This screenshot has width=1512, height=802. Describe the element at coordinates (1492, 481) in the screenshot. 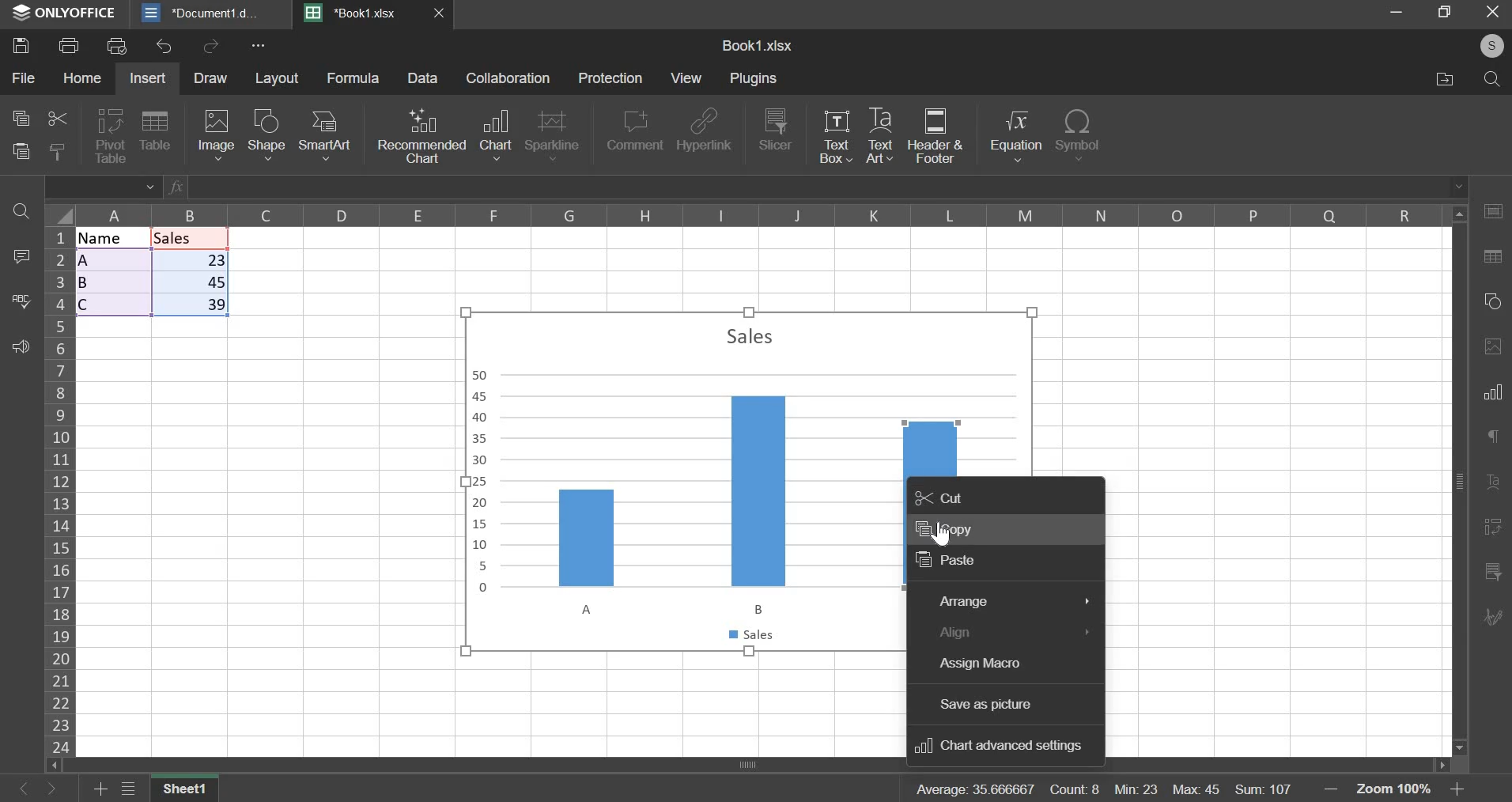

I see `Formatting Tool` at that location.